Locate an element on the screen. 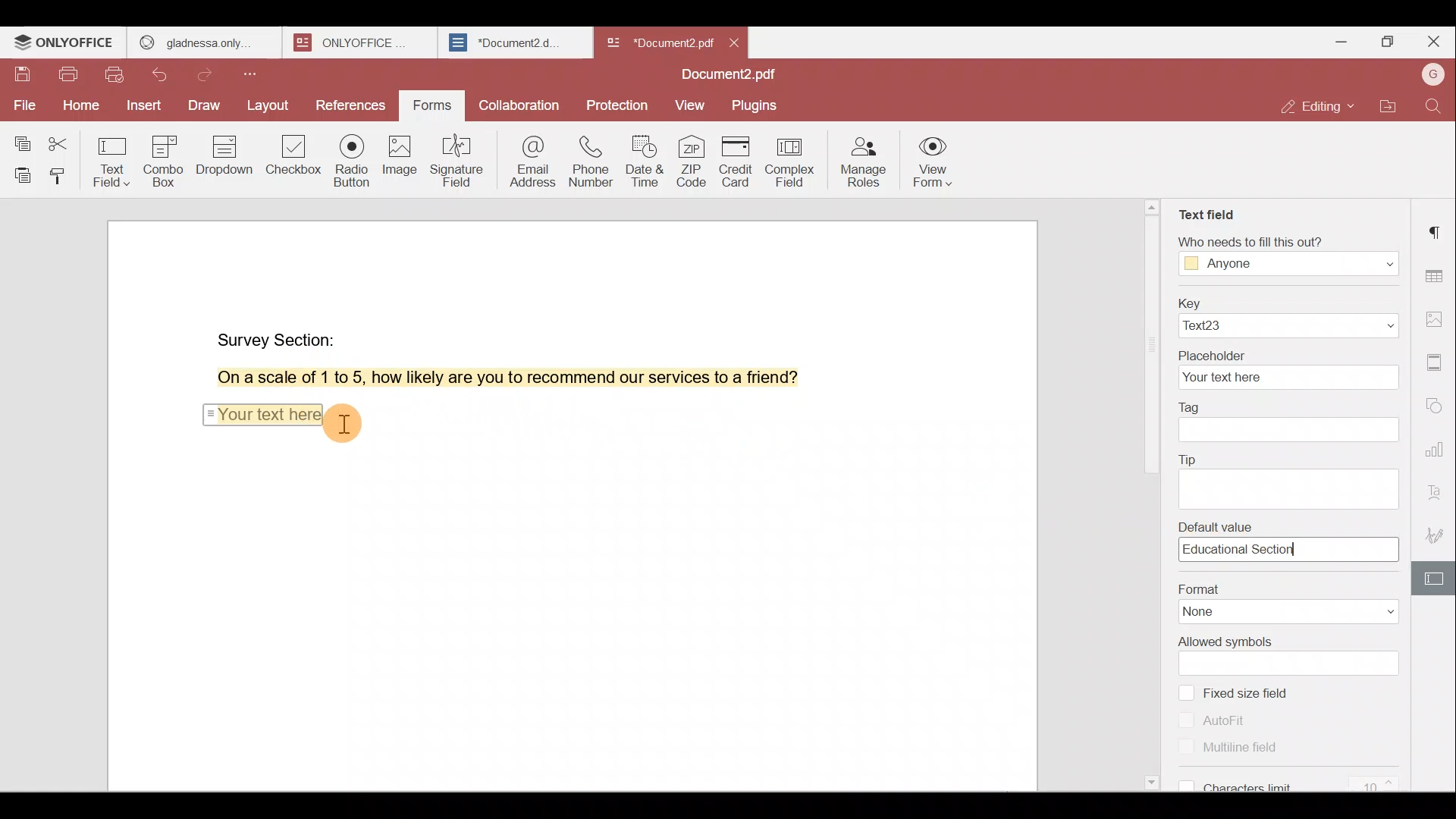 Image resolution: width=1456 pixels, height=819 pixels. View is located at coordinates (690, 106).